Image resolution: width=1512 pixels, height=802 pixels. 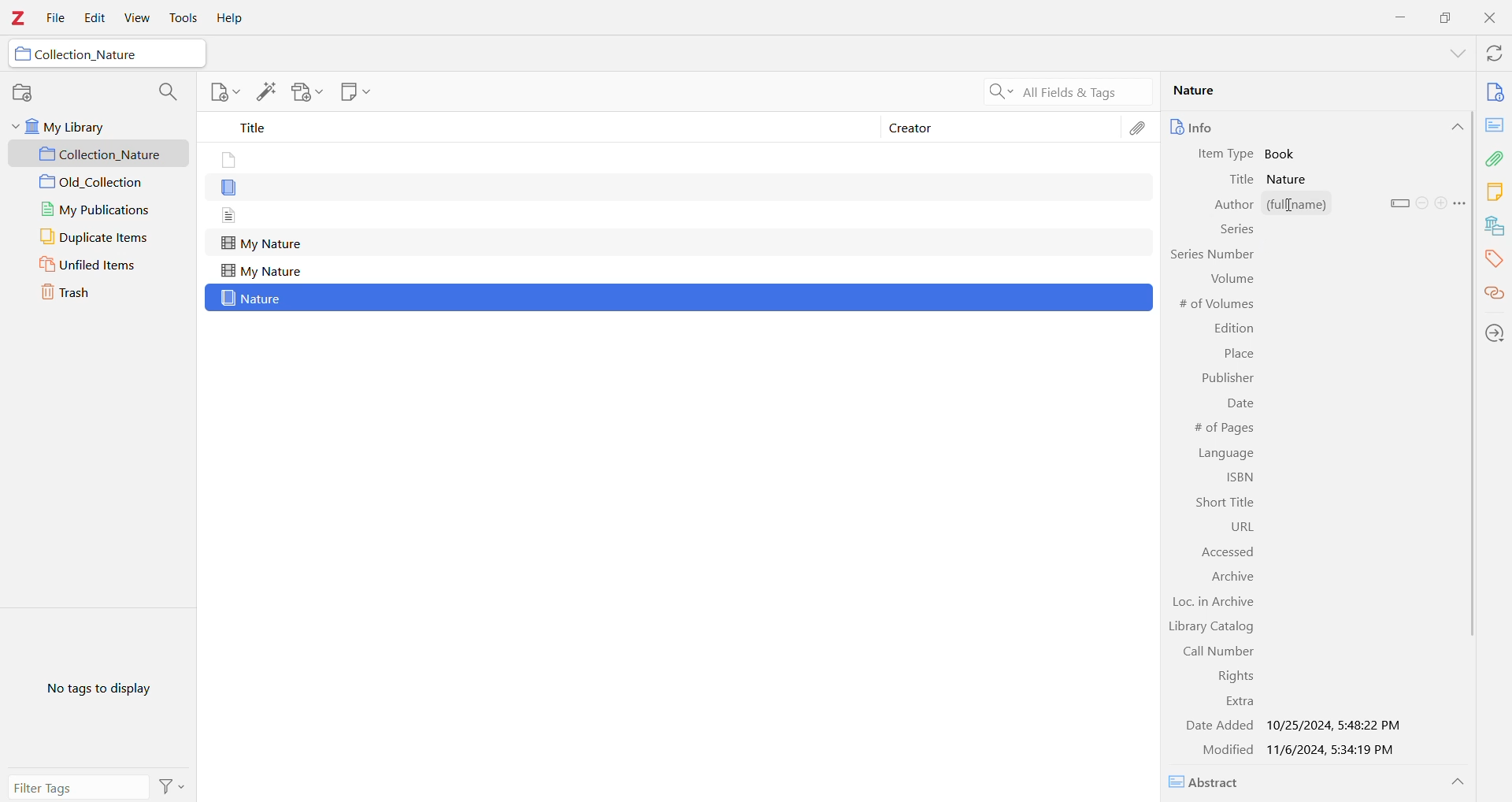 What do you see at coordinates (1494, 193) in the screenshot?
I see `Notes` at bounding box center [1494, 193].